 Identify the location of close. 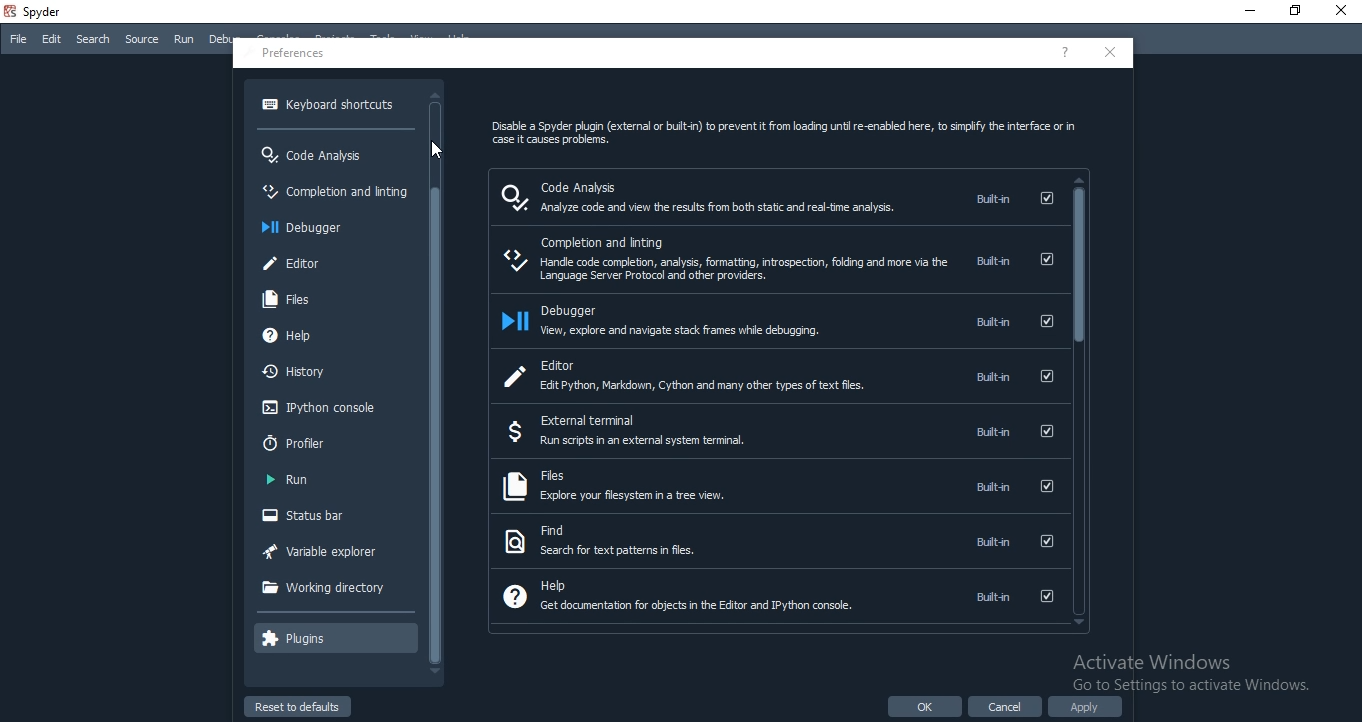
(1113, 53).